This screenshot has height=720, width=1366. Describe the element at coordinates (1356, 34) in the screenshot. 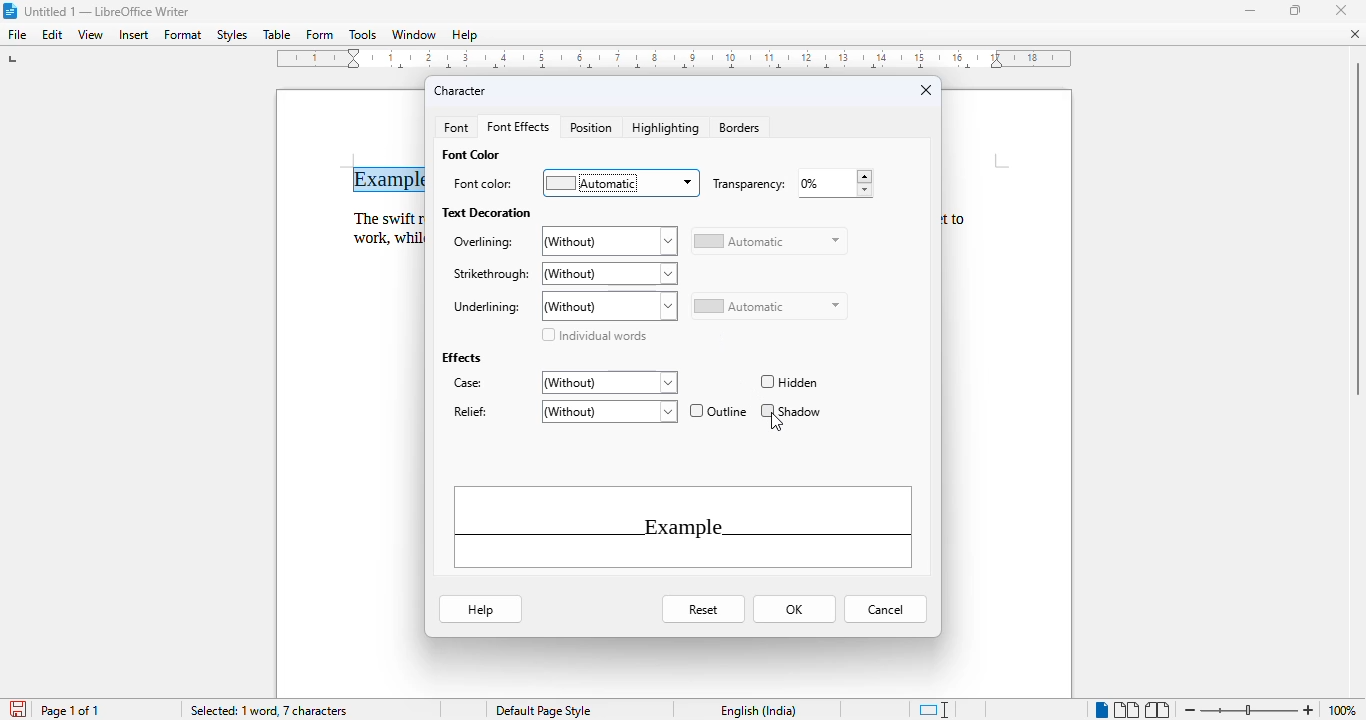

I see `close document` at that location.